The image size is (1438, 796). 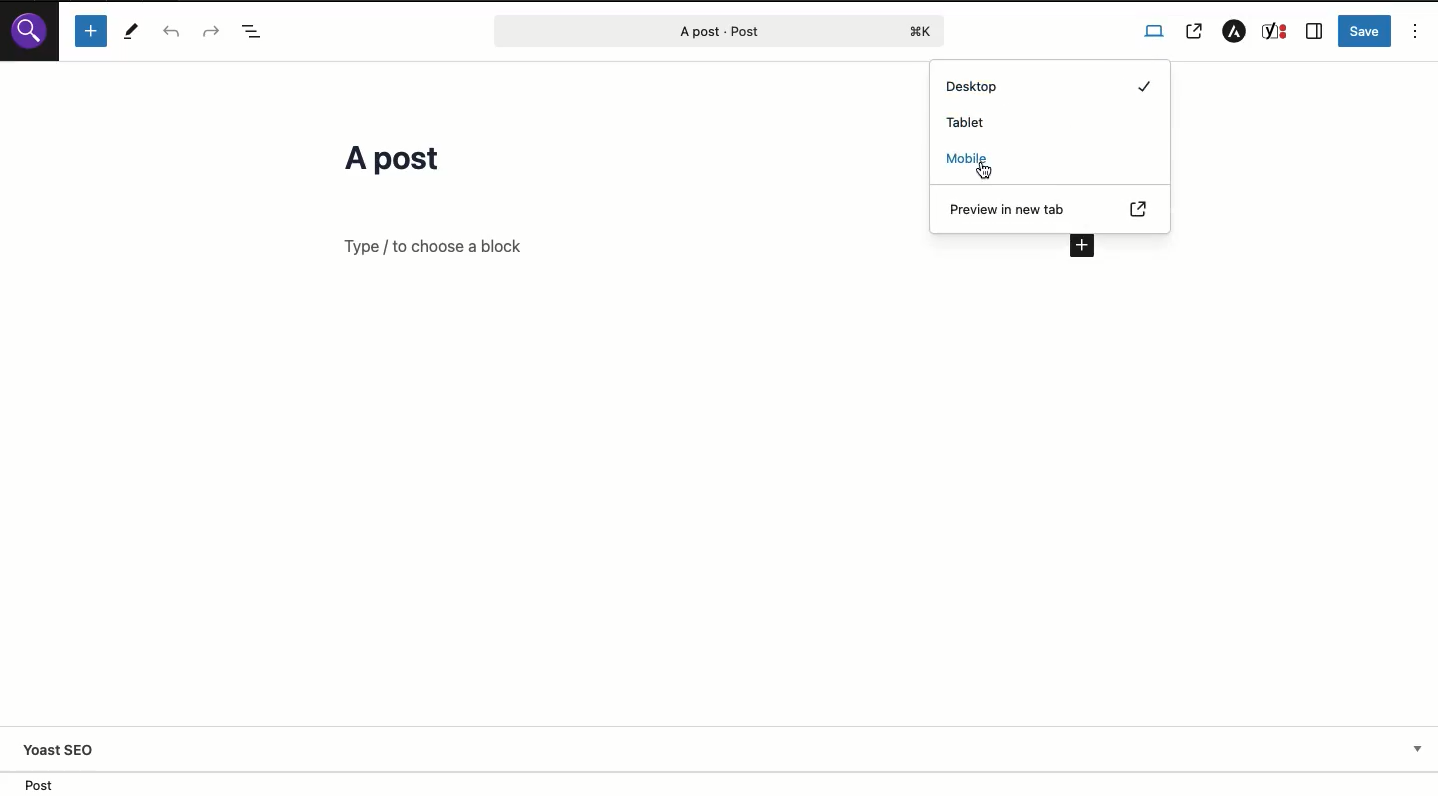 I want to click on Redo, so click(x=211, y=30).